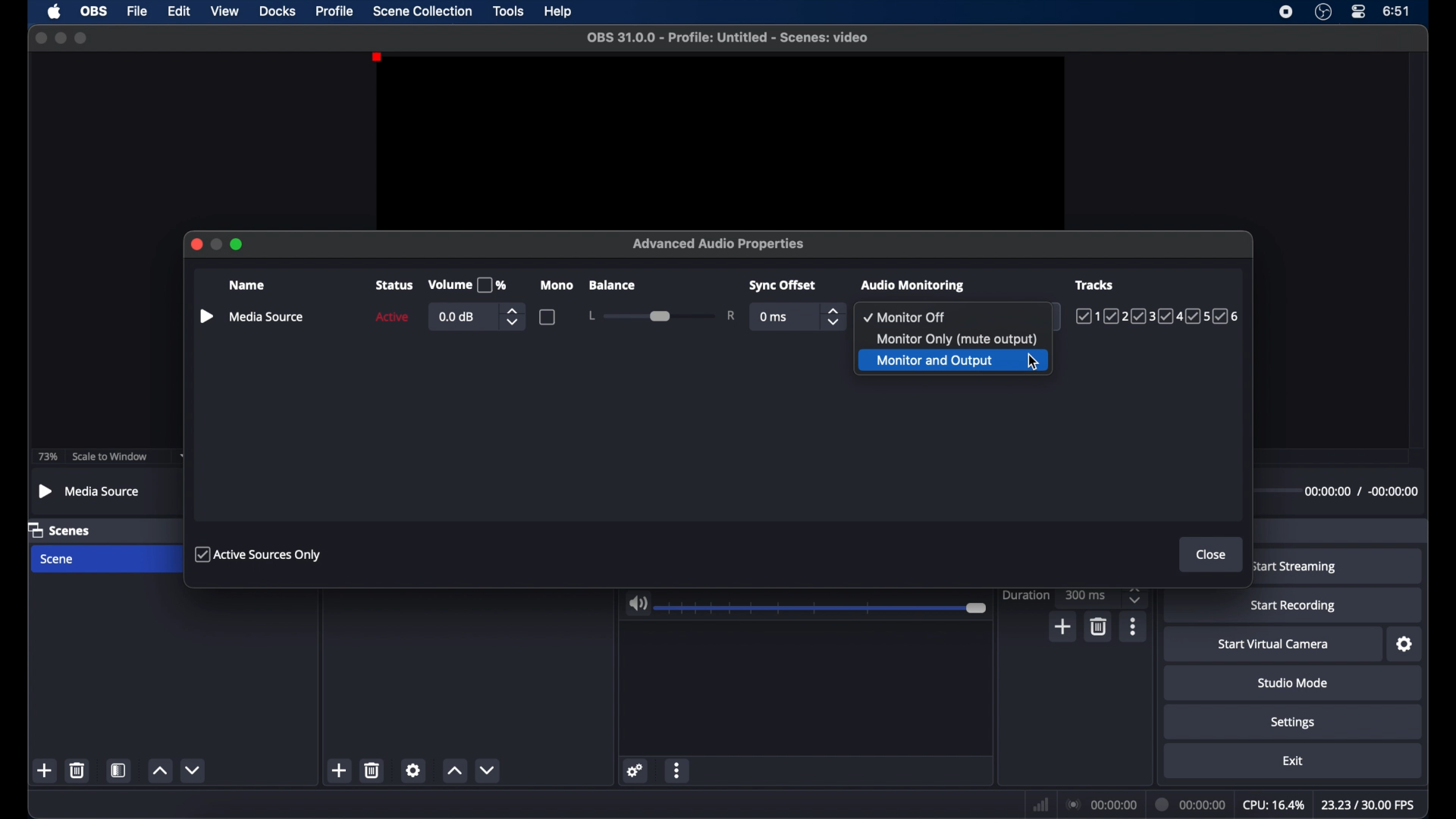  What do you see at coordinates (834, 317) in the screenshot?
I see `stepper buttons` at bounding box center [834, 317].